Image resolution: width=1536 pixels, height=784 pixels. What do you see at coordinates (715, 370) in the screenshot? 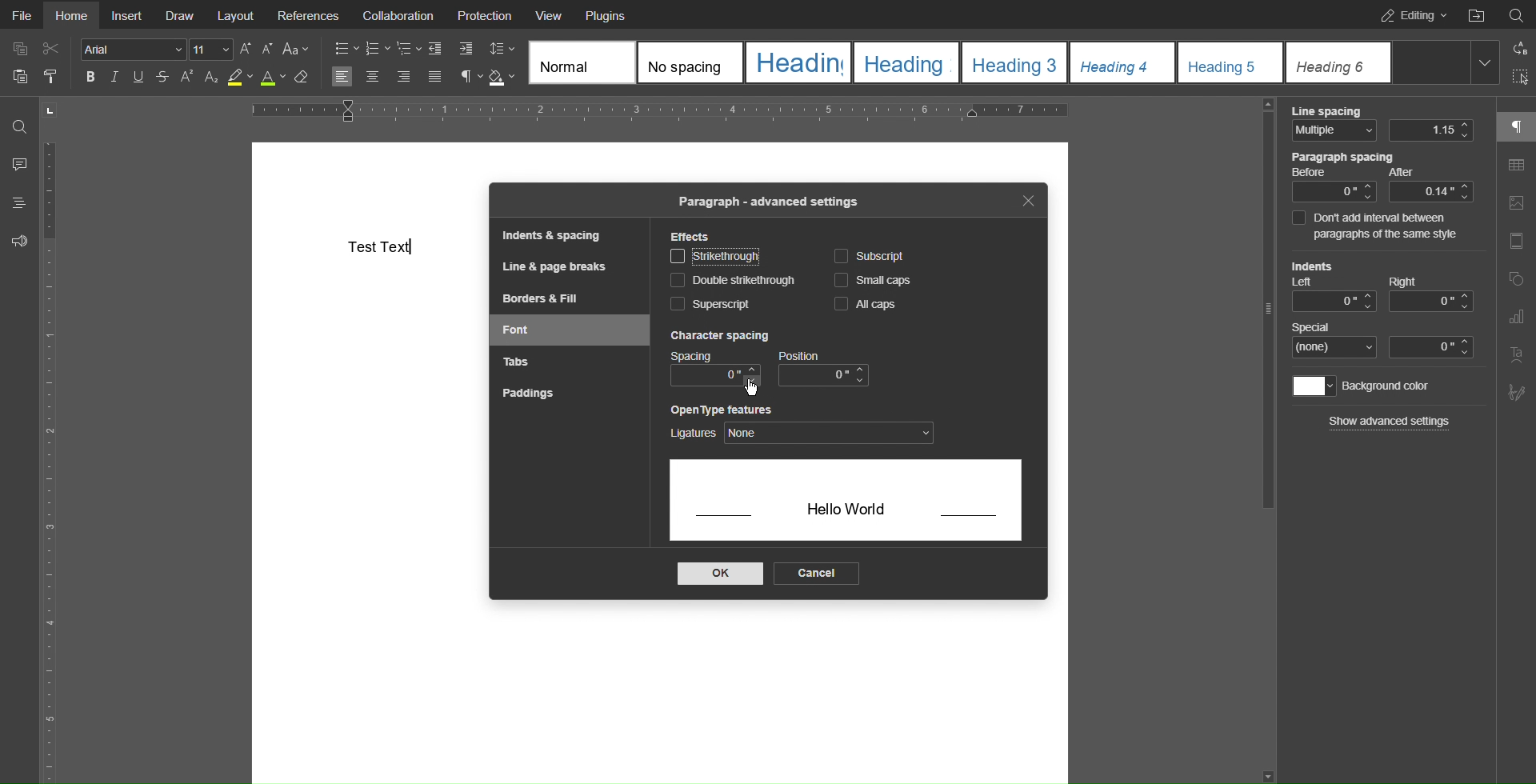
I see `Spacing ` at bounding box center [715, 370].